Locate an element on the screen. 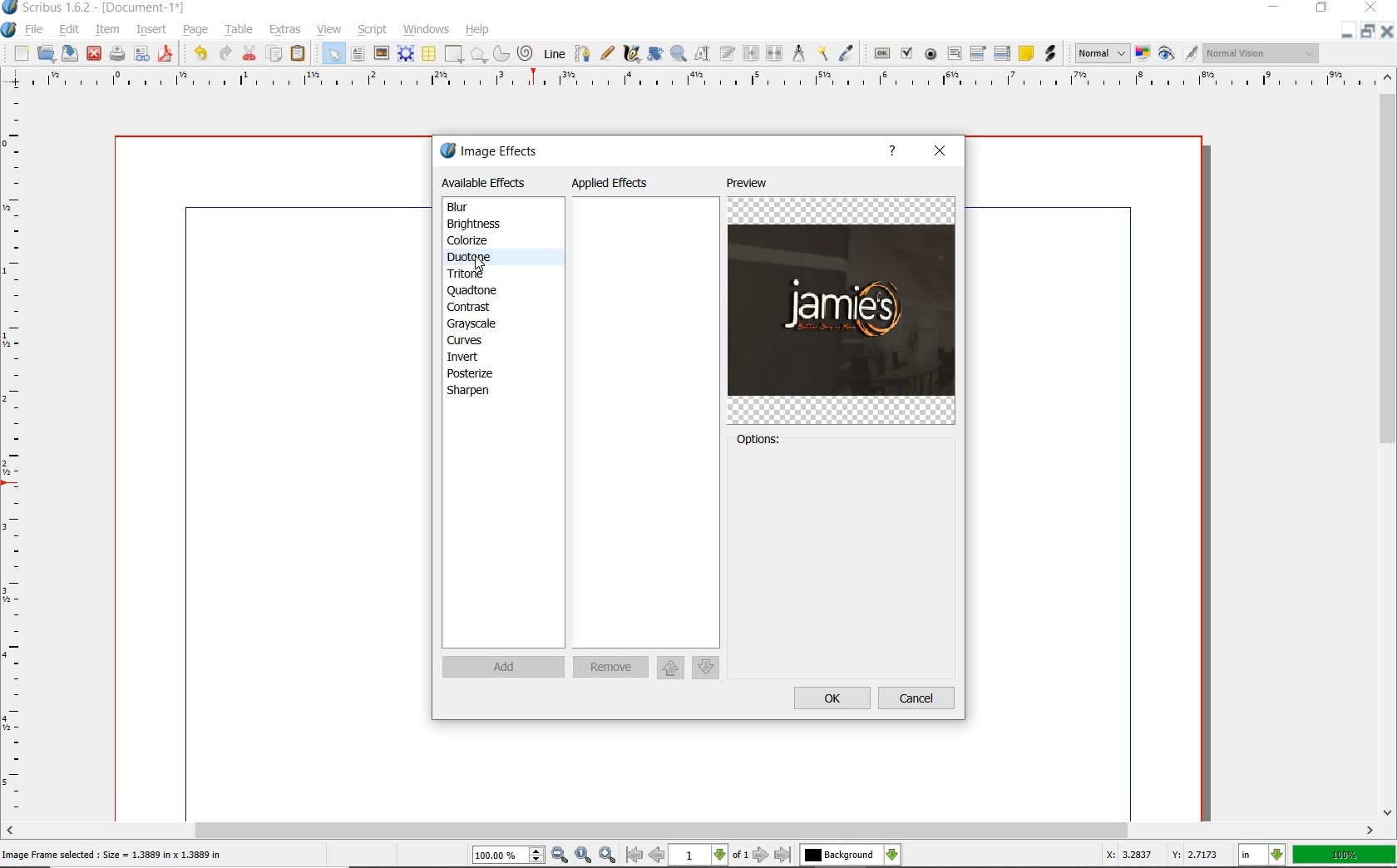  ok is located at coordinates (832, 699).